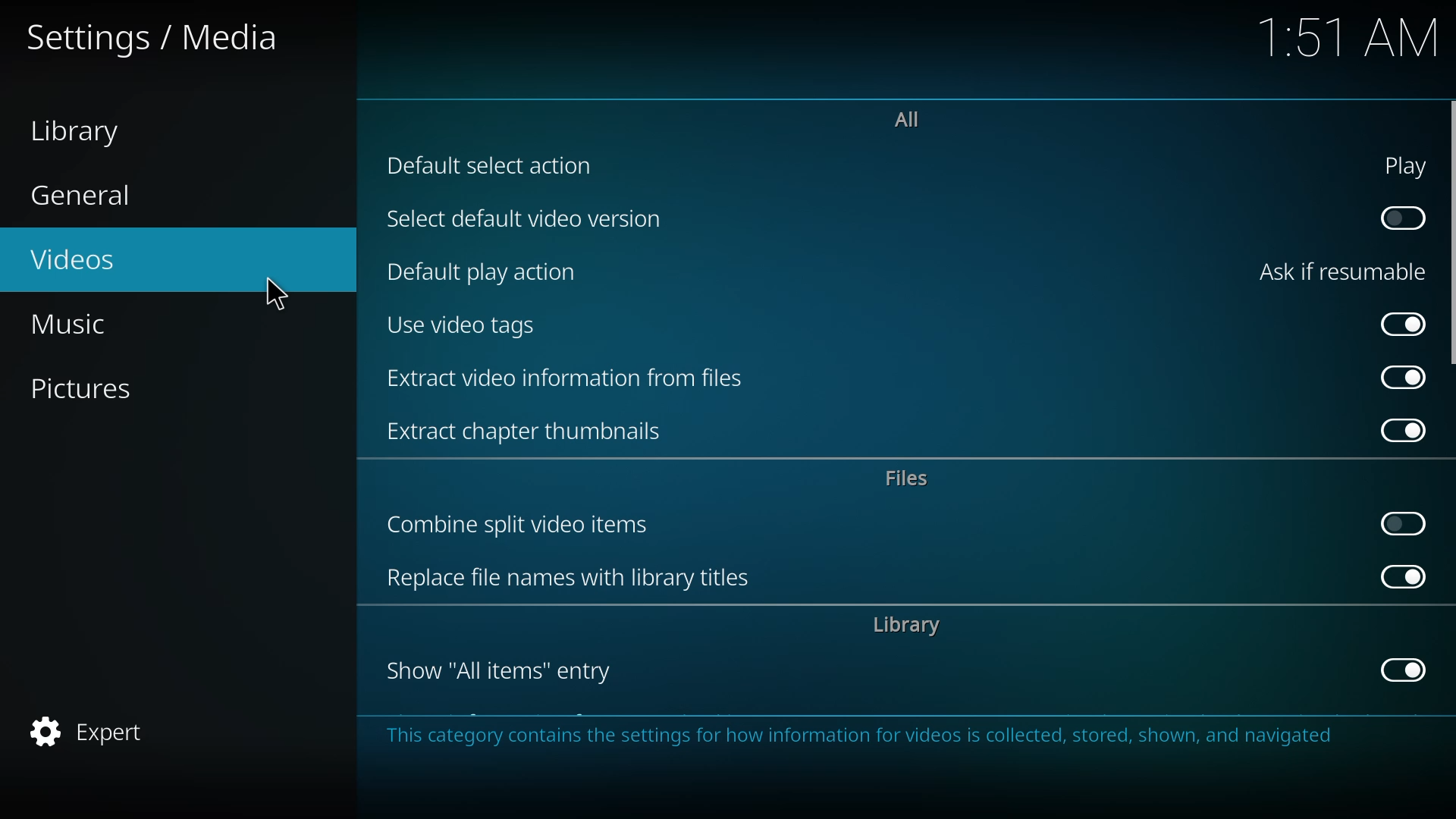  Describe the element at coordinates (276, 293) in the screenshot. I see `cursor` at that location.